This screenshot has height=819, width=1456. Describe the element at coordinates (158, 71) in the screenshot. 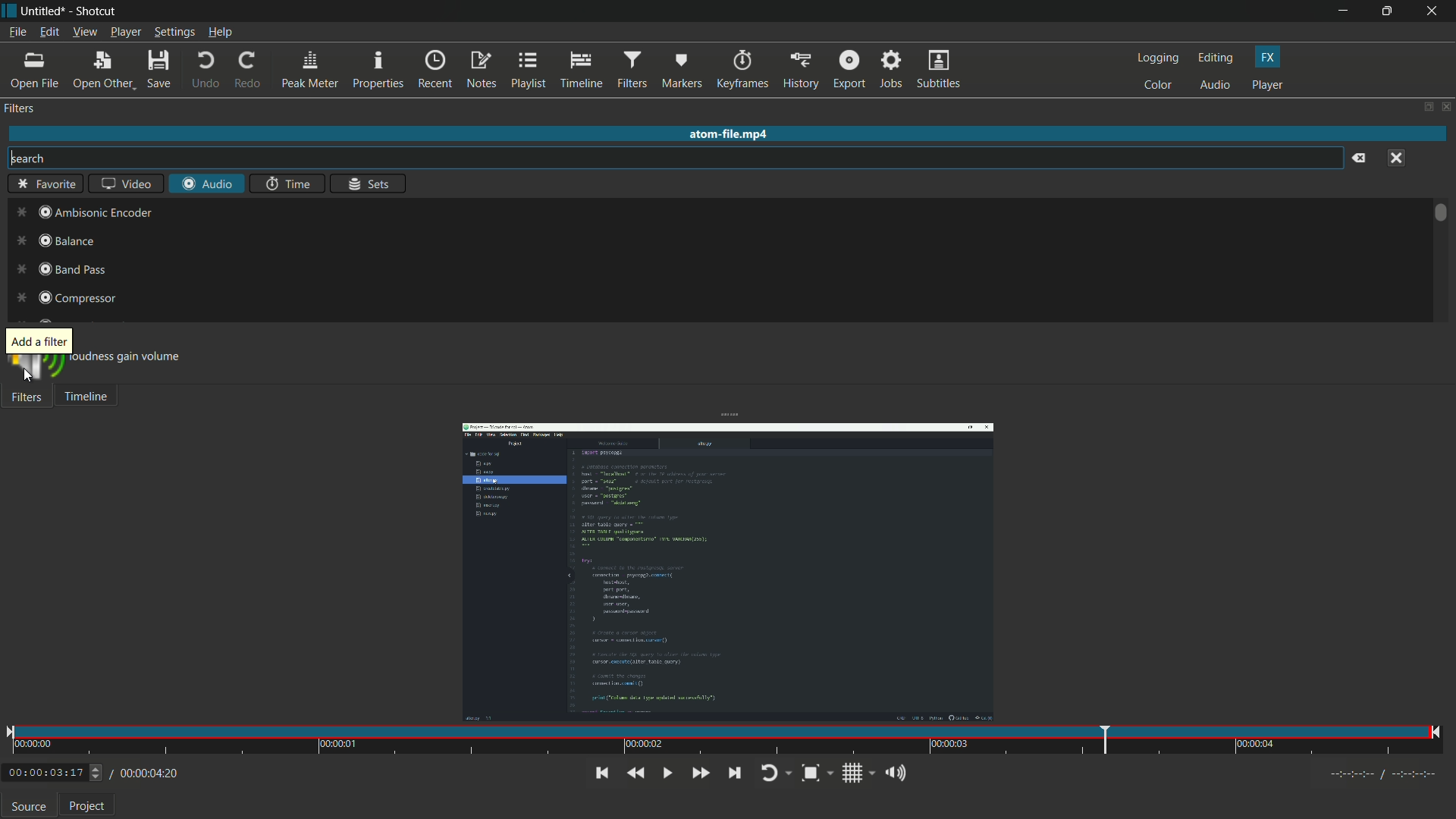

I see `save` at that location.